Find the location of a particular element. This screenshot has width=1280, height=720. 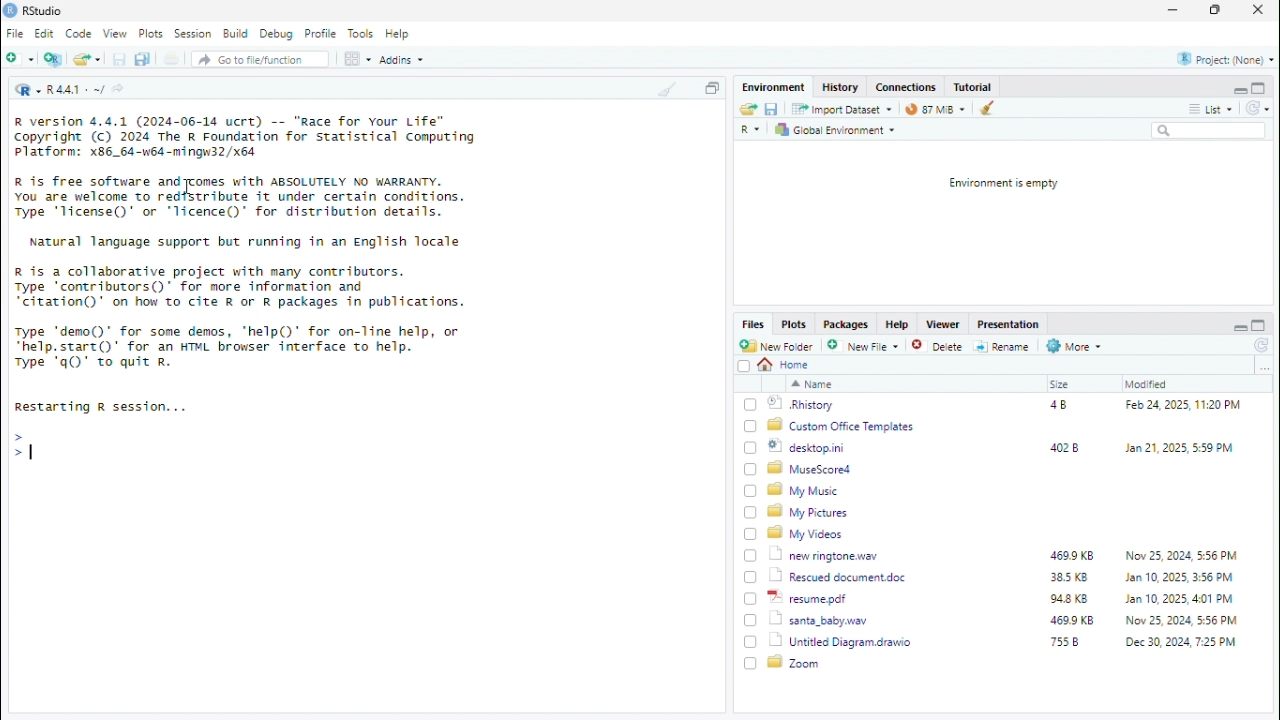

Checkbox is located at coordinates (750, 513).